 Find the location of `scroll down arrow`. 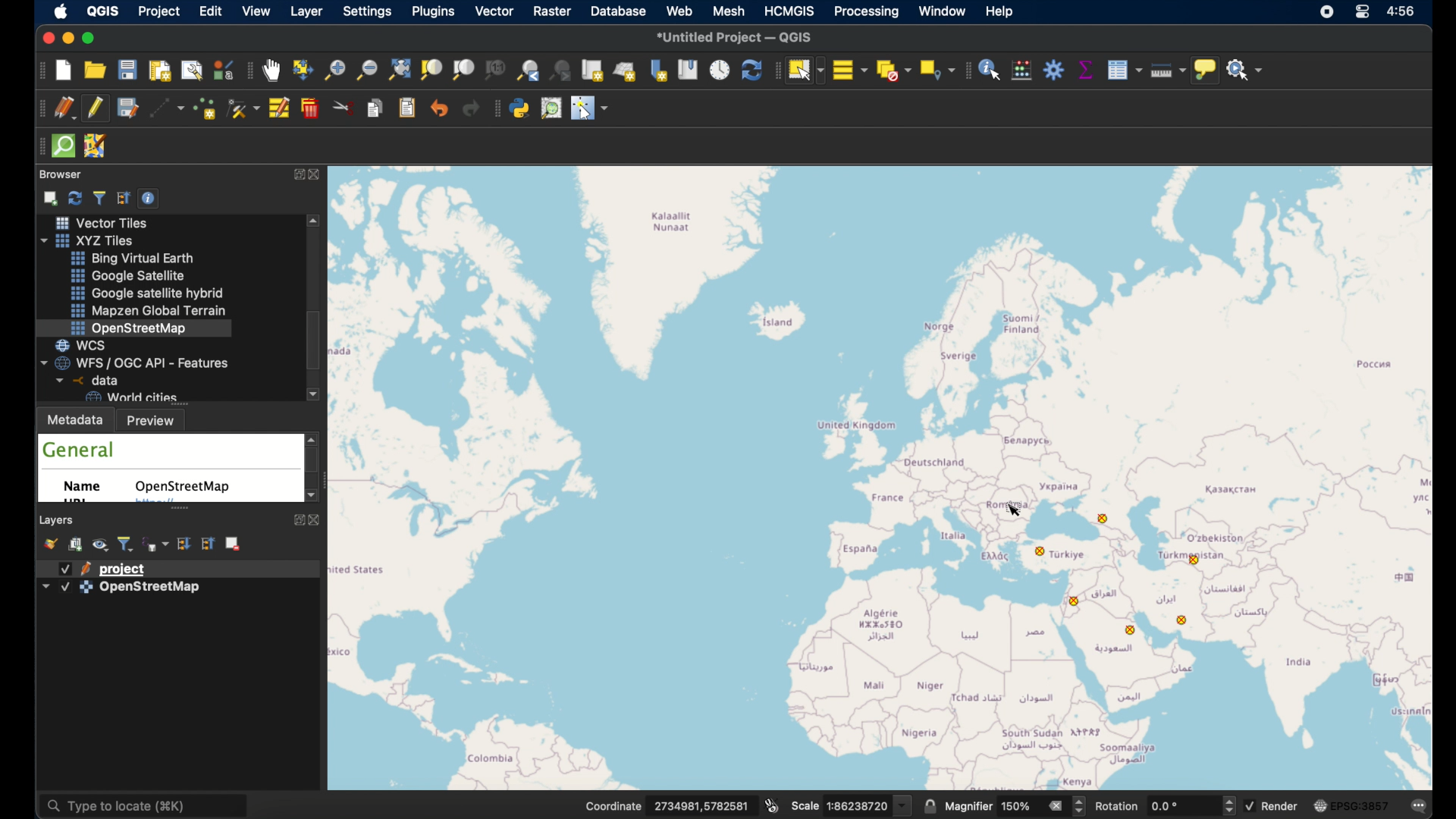

scroll down arrow is located at coordinates (309, 497).